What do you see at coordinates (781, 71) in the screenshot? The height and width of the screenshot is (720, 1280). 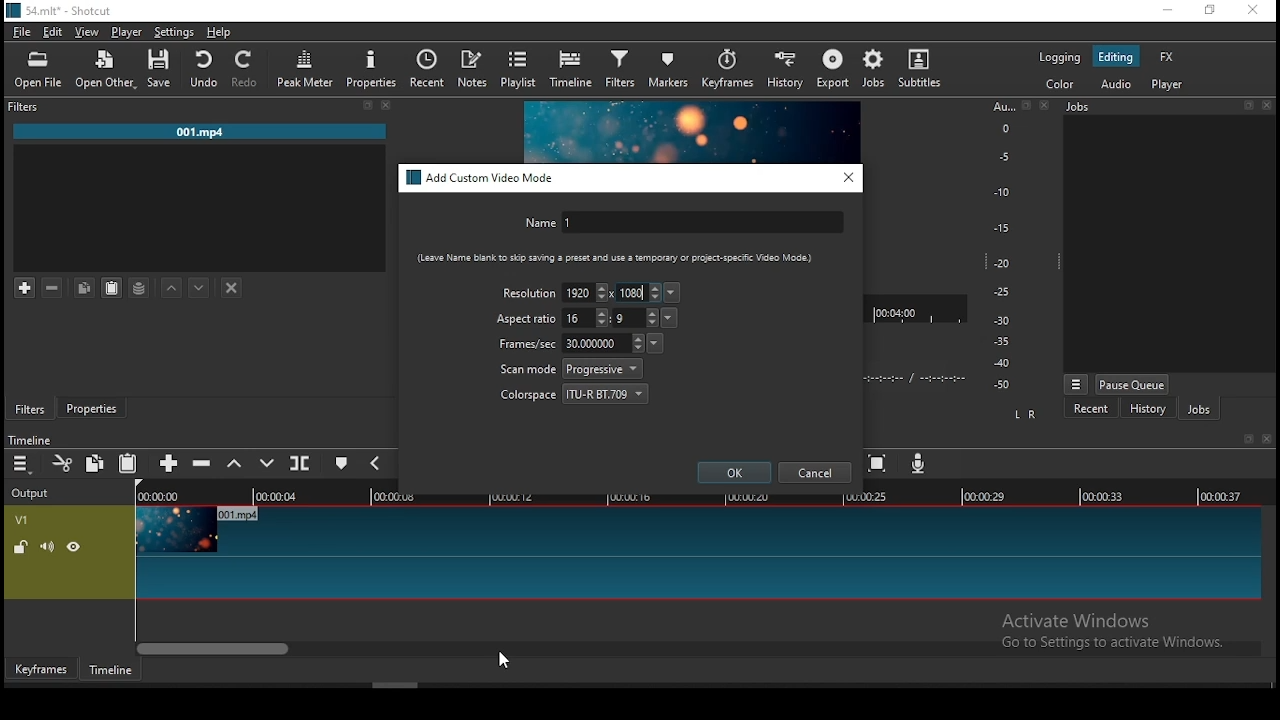 I see `history` at bounding box center [781, 71].